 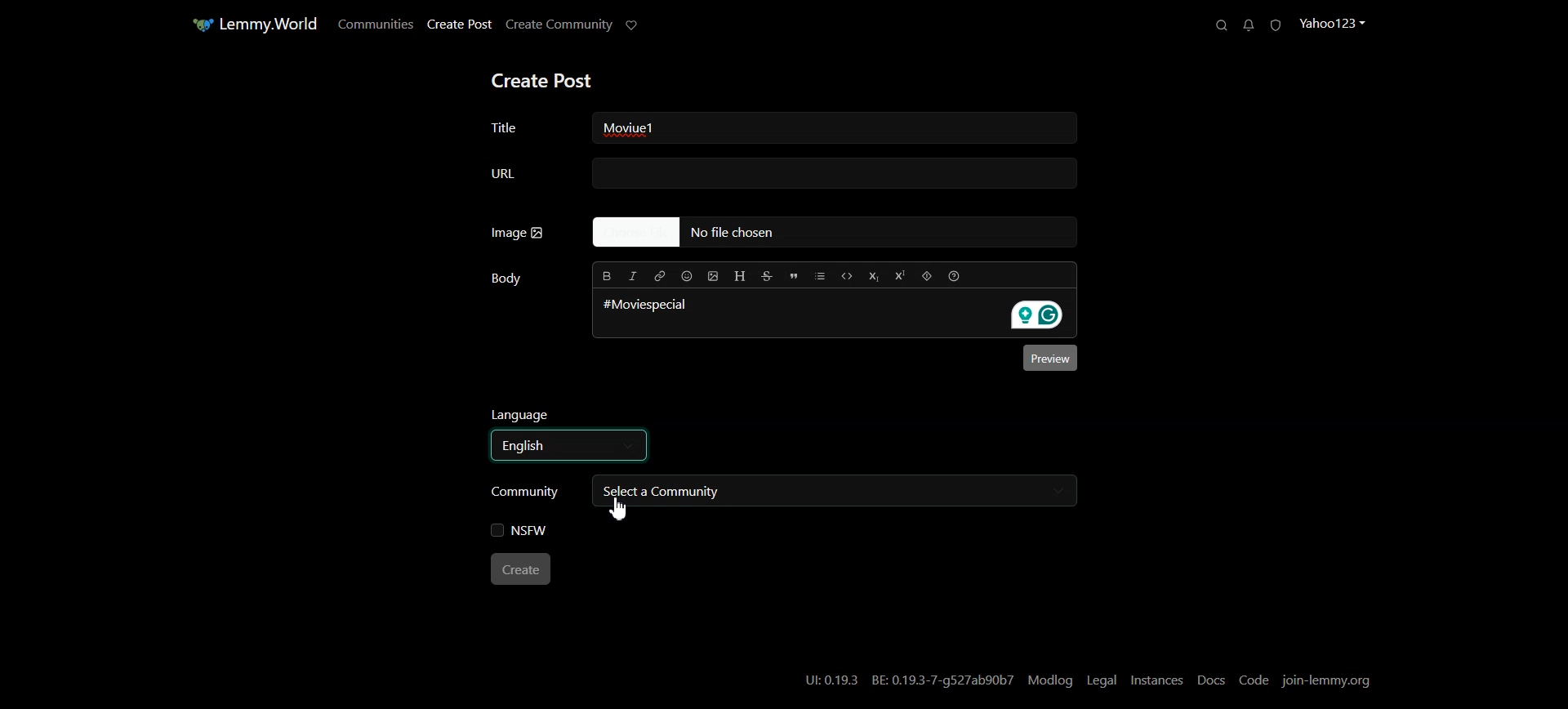 I want to click on Hyperlink, so click(x=661, y=276).